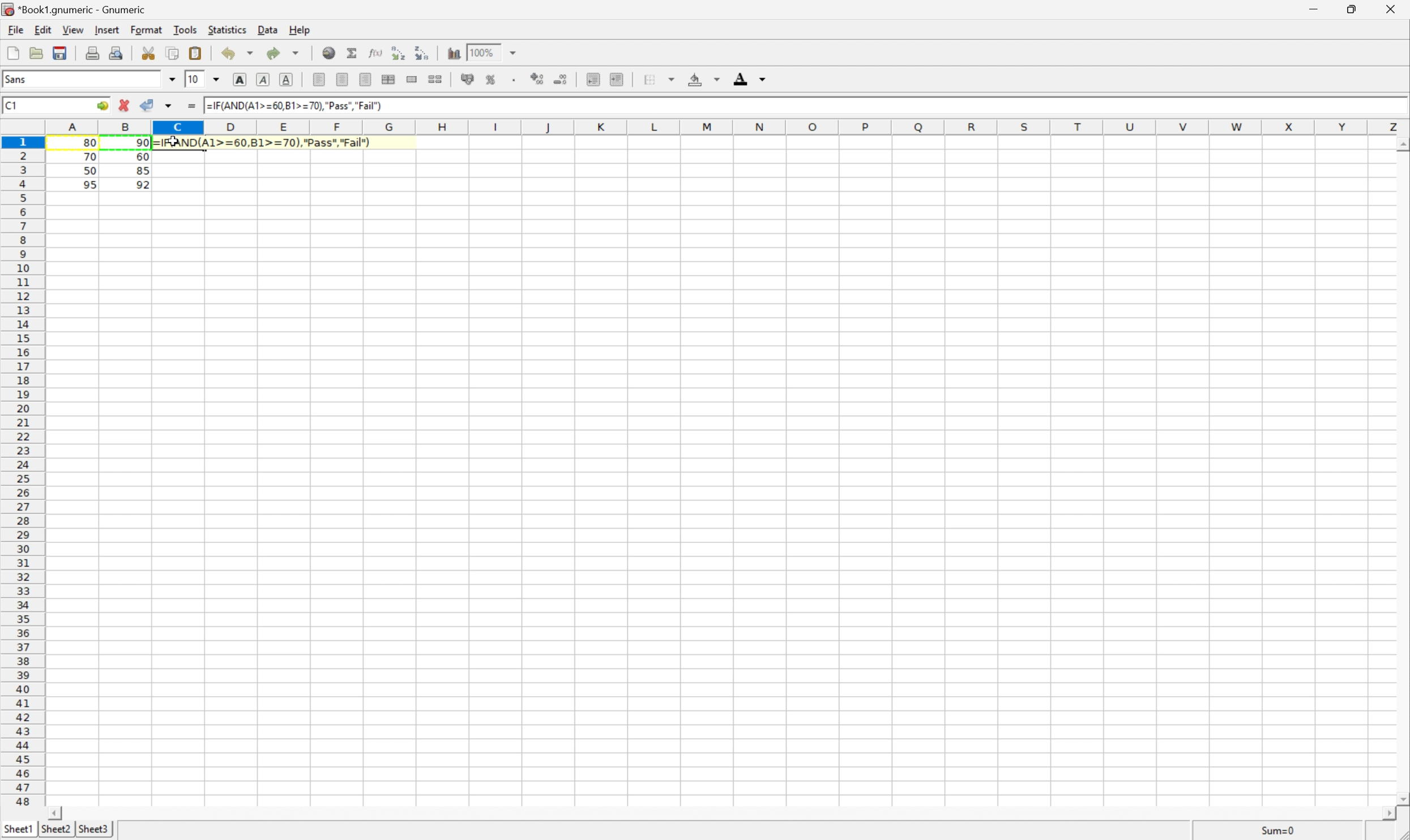 This screenshot has width=1410, height=840. I want to click on Cut the selection, so click(149, 52).